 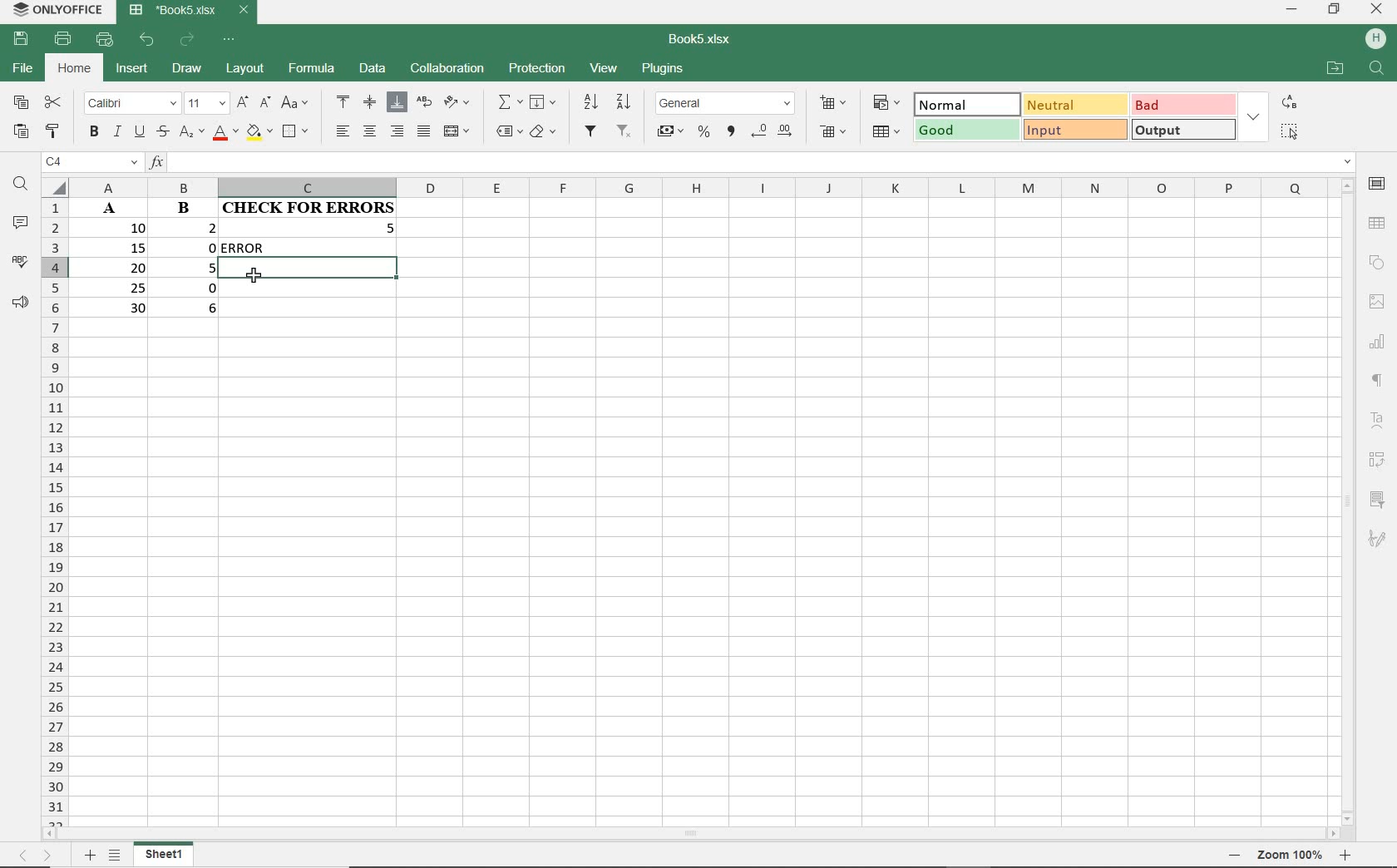 What do you see at coordinates (733, 133) in the screenshot?
I see `COMMA STYLE` at bounding box center [733, 133].